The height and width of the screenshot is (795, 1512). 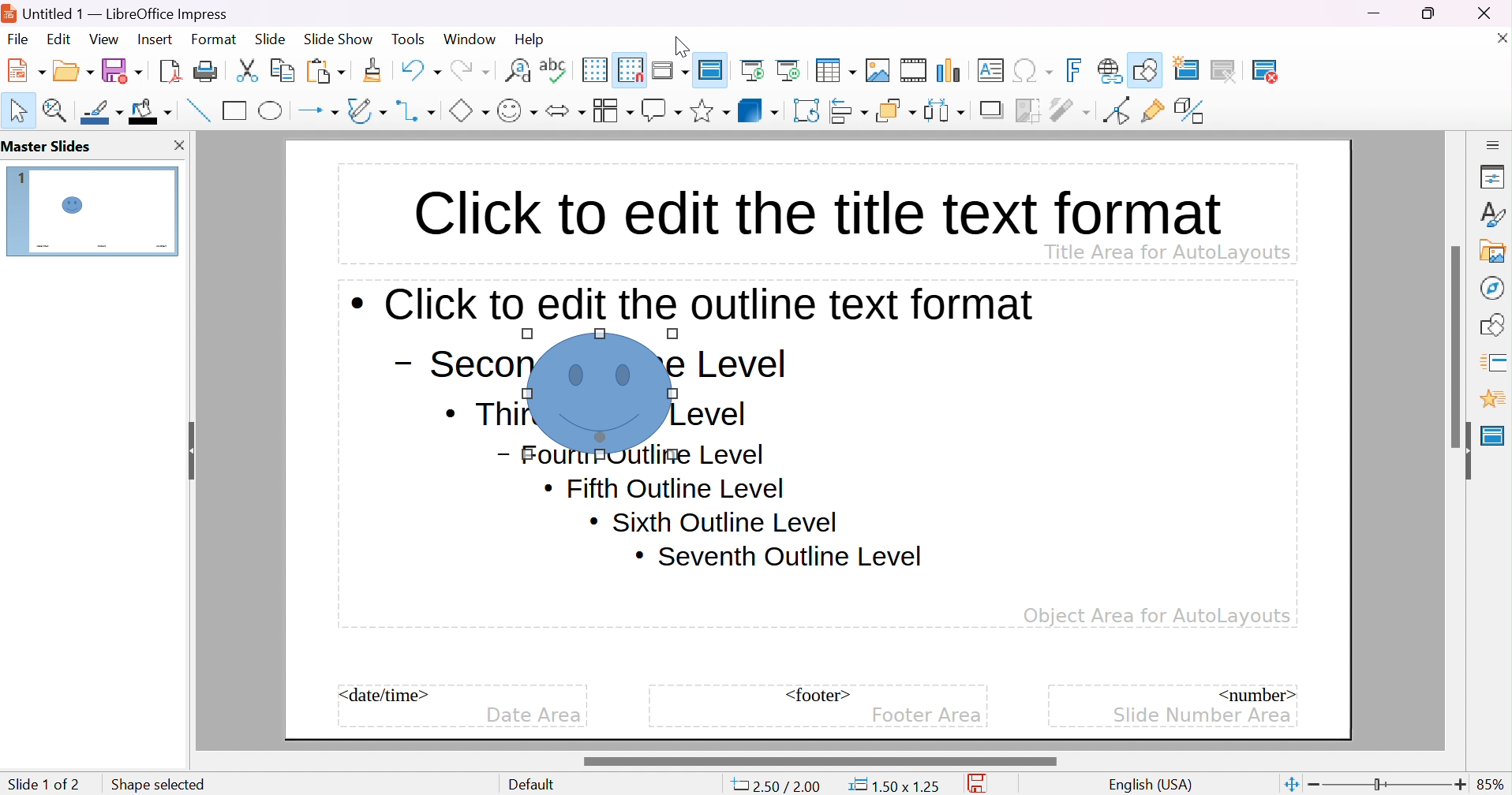 I want to click on title area for autolayouts, so click(x=1166, y=251).